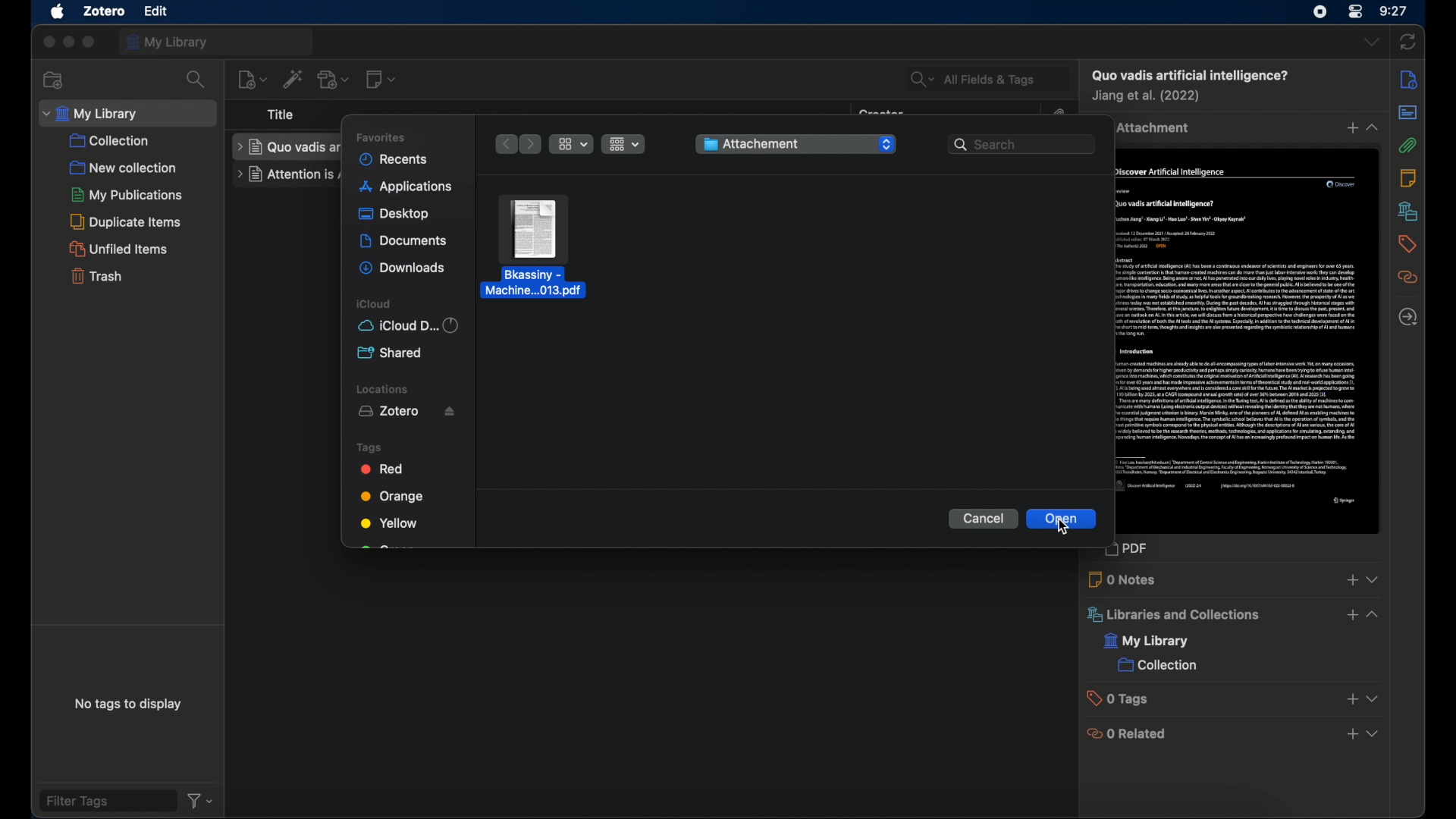 The image size is (1456, 819). What do you see at coordinates (1408, 79) in the screenshot?
I see `info` at bounding box center [1408, 79].